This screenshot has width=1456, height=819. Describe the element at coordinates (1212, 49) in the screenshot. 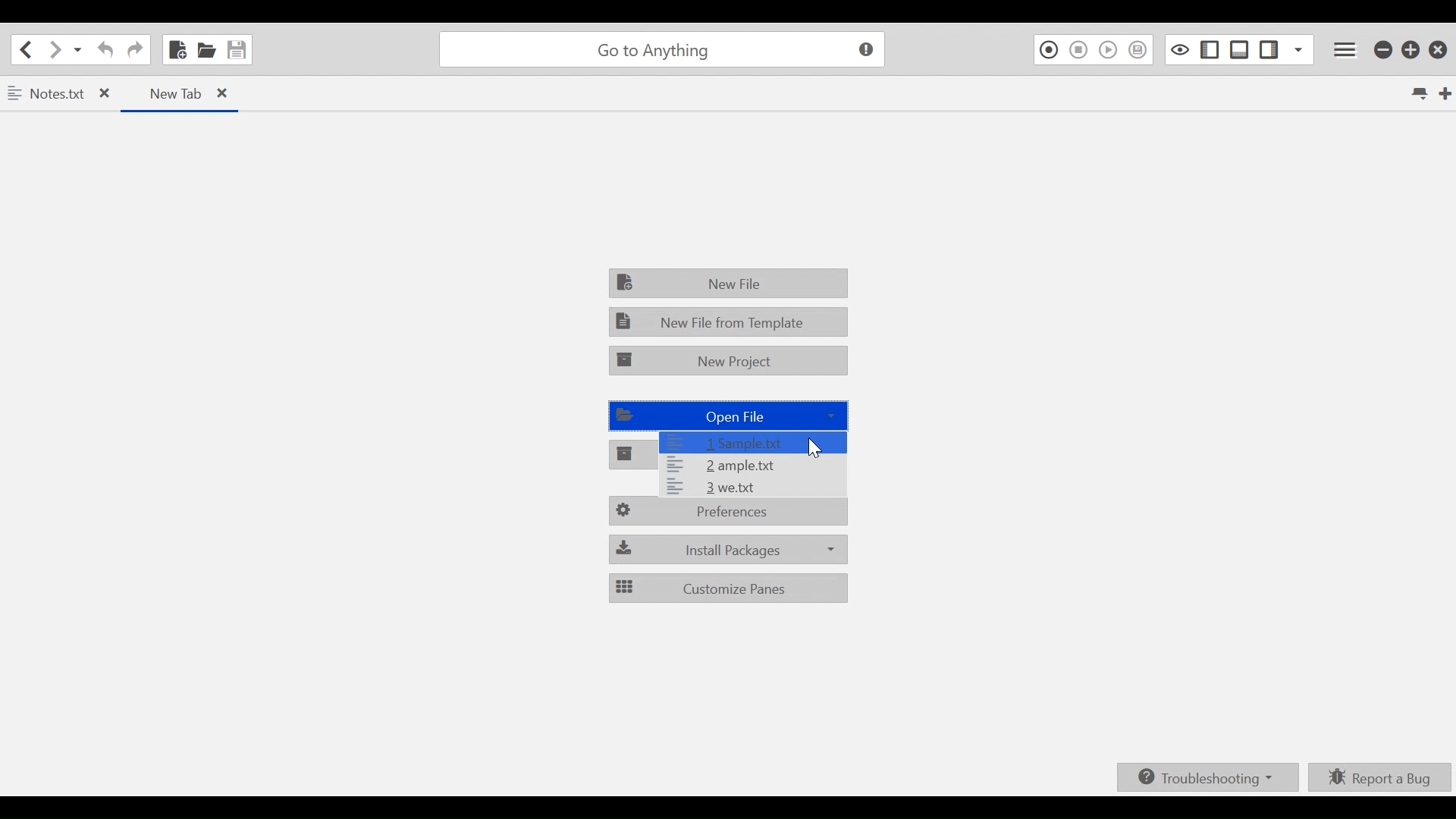

I see `Show/Hide Left Pane` at that location.